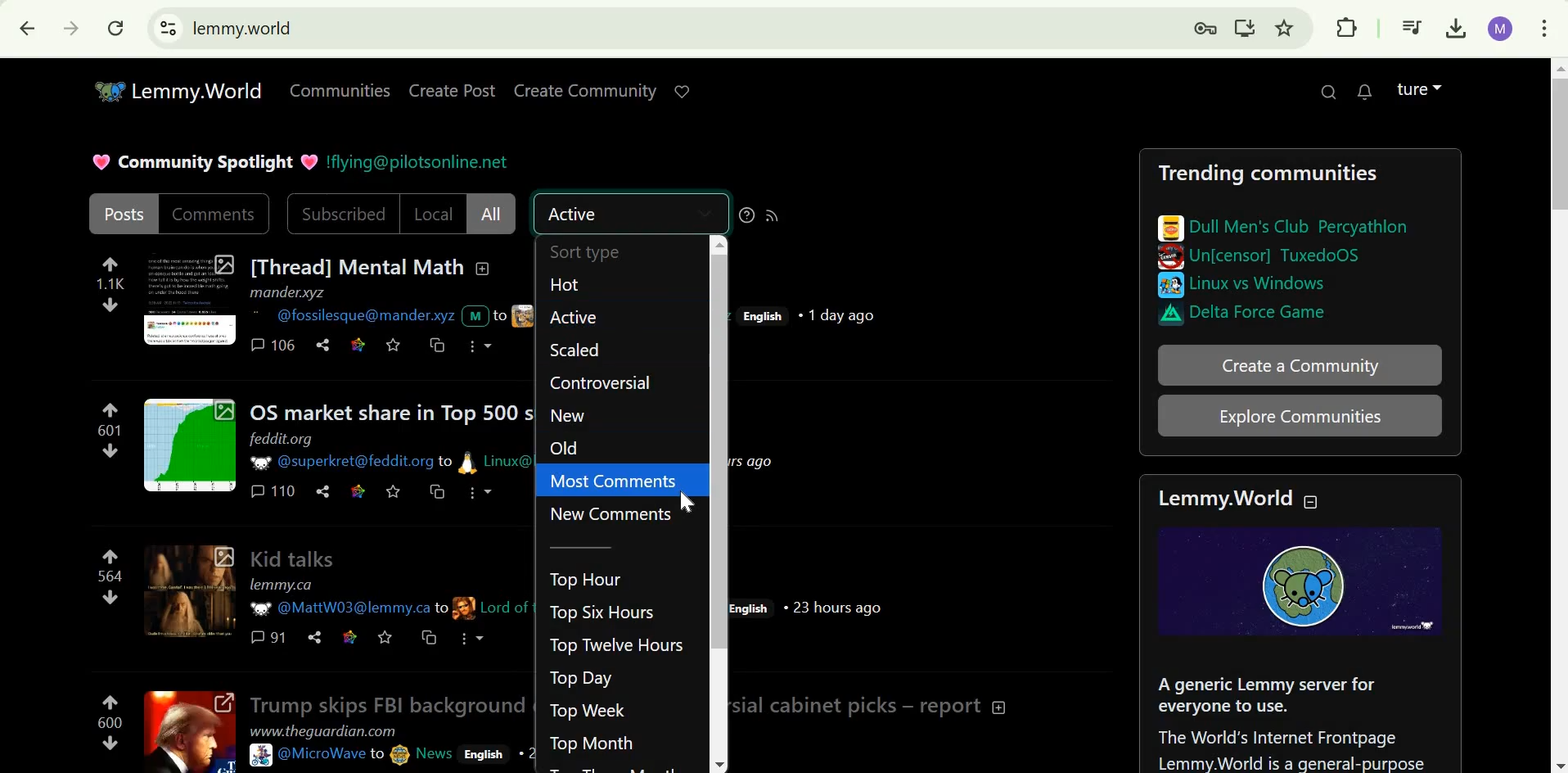 The image size is (1568, 773). What do you see at coordinates (434, 490) in the screenshot?
I see `cross-post` at bounding box center [434, 490].